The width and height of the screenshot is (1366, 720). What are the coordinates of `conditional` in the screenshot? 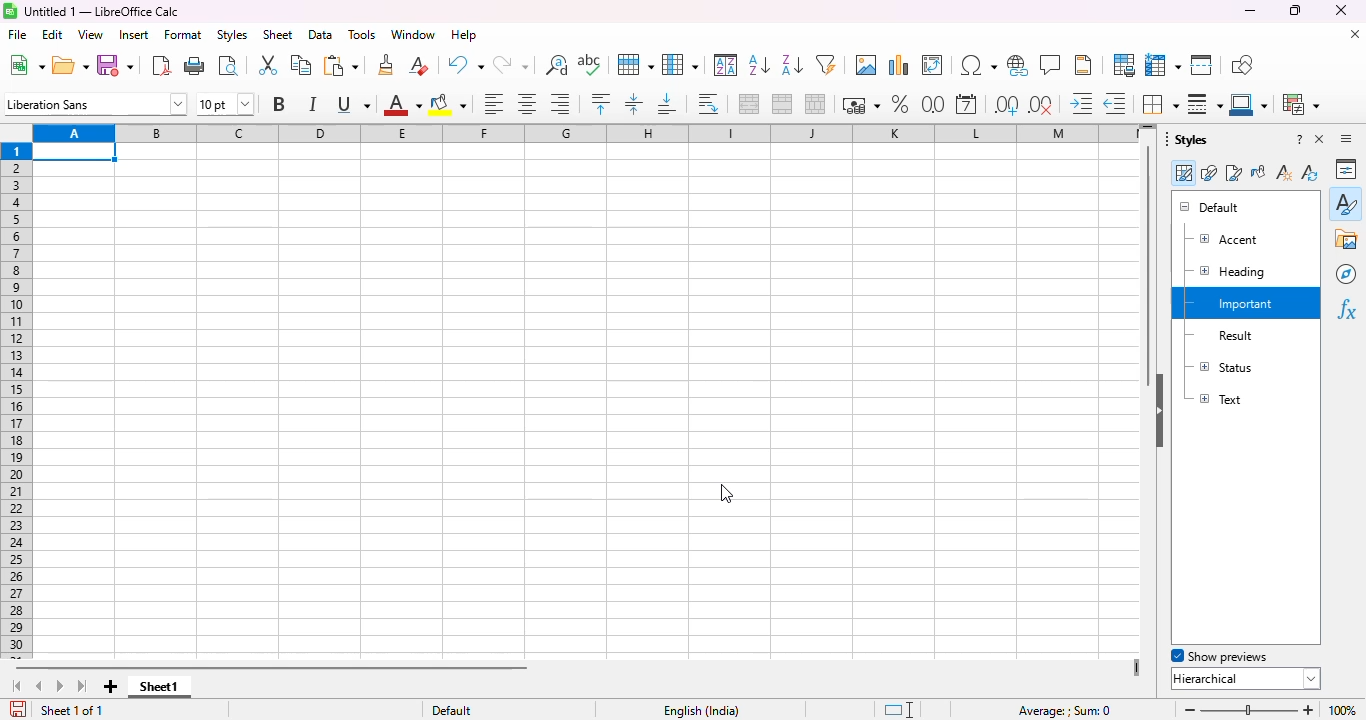 It's located at (1302, 104).